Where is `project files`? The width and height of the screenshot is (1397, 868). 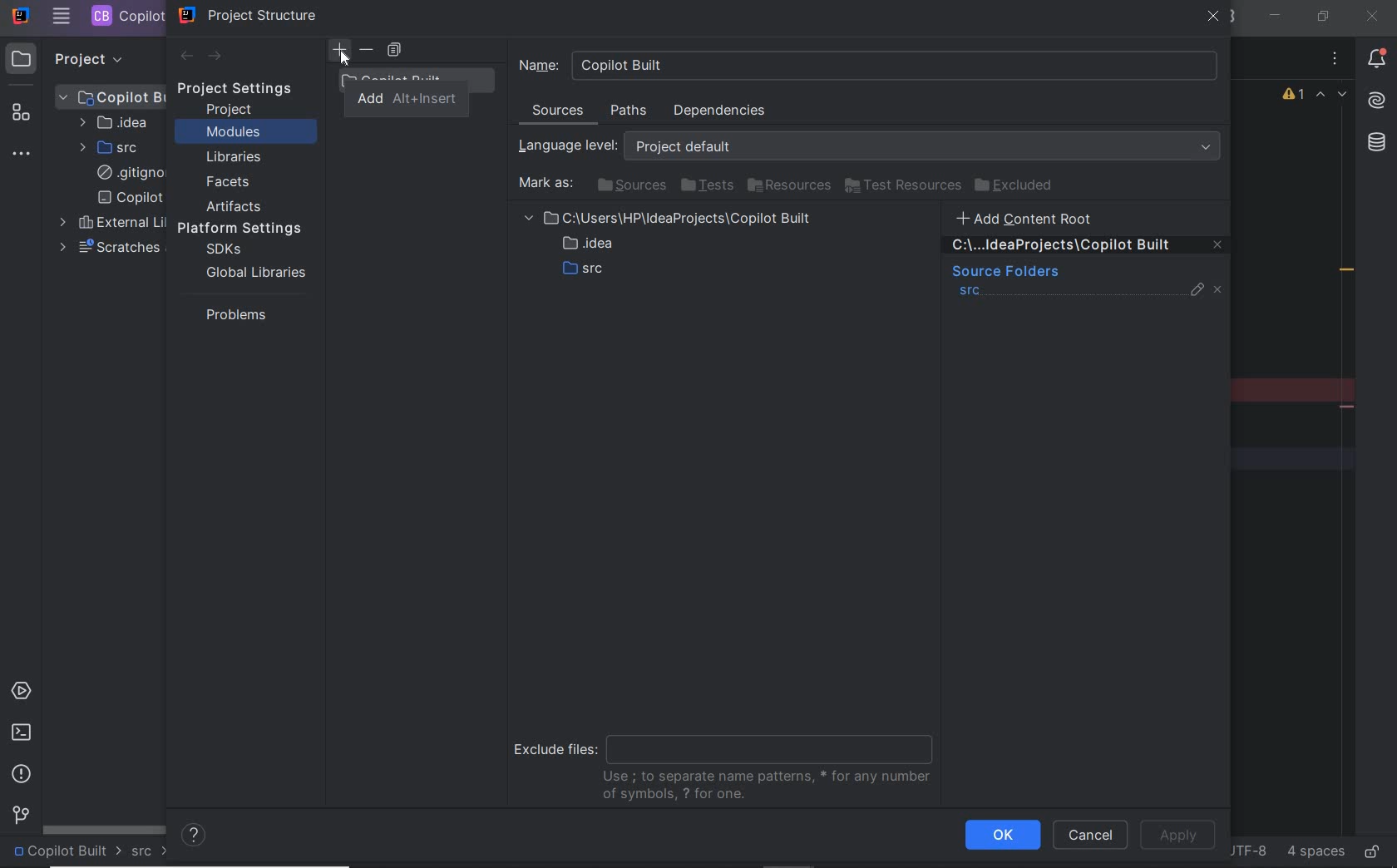 project files is located at coordinates (672, 247).